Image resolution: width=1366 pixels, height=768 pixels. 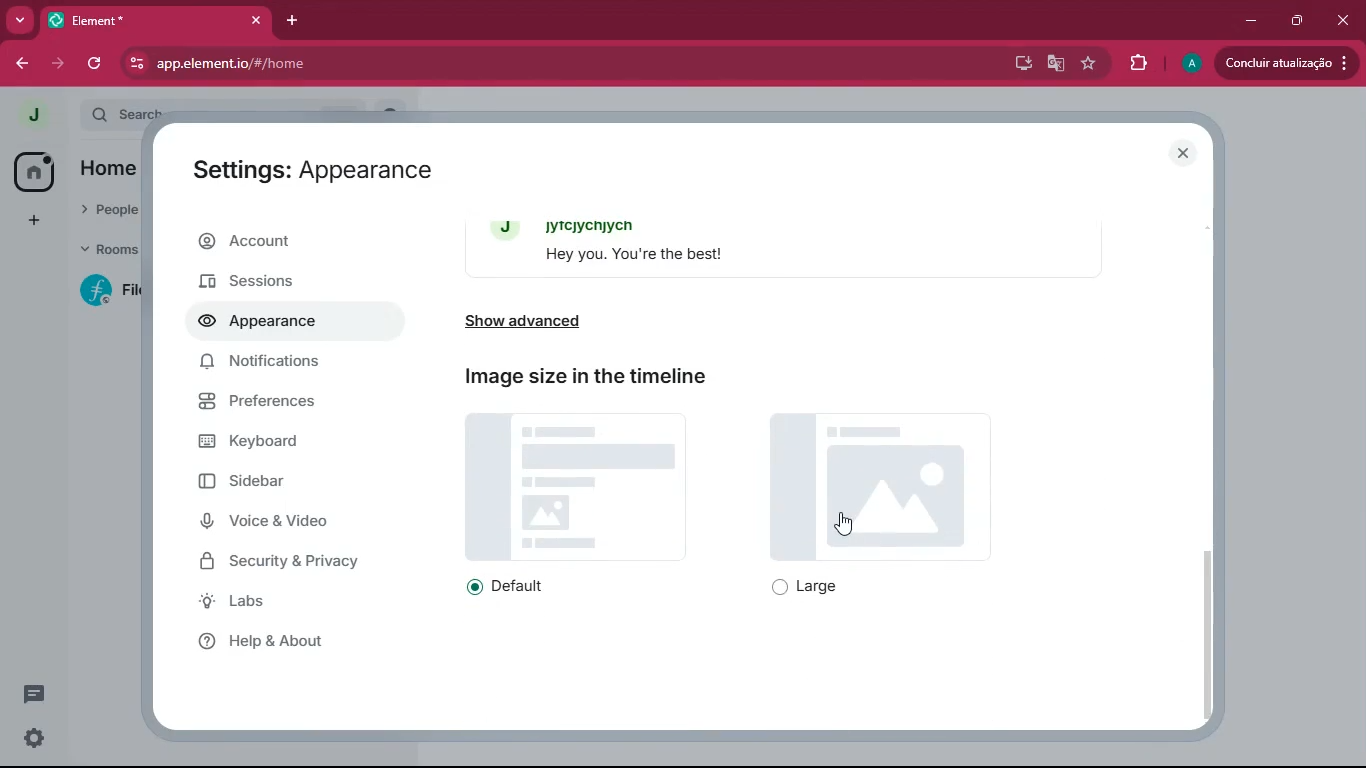 I want to click on image, so click(x=884, y=486).